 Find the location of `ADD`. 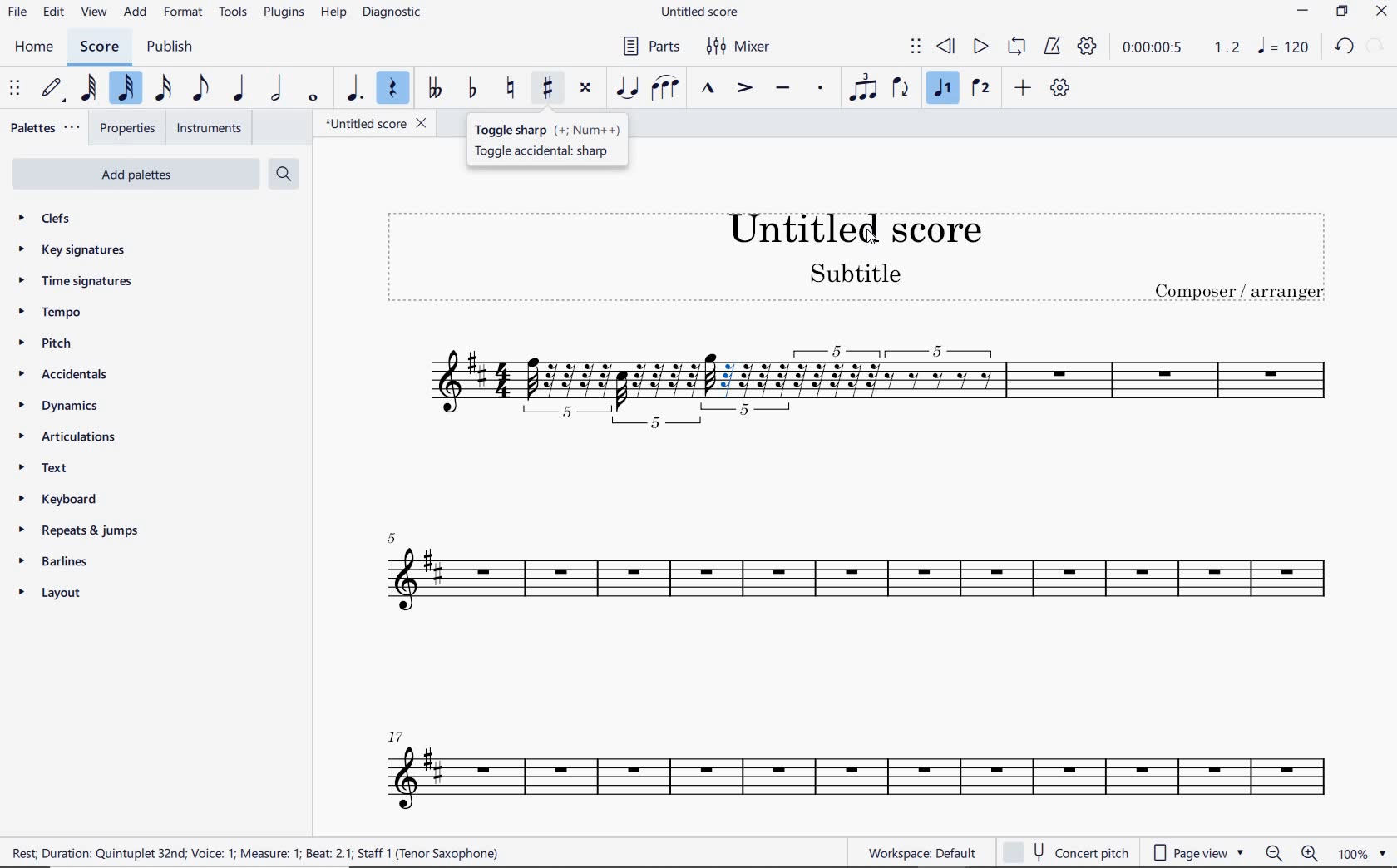

ADD is located at coordinates (1024, 89).